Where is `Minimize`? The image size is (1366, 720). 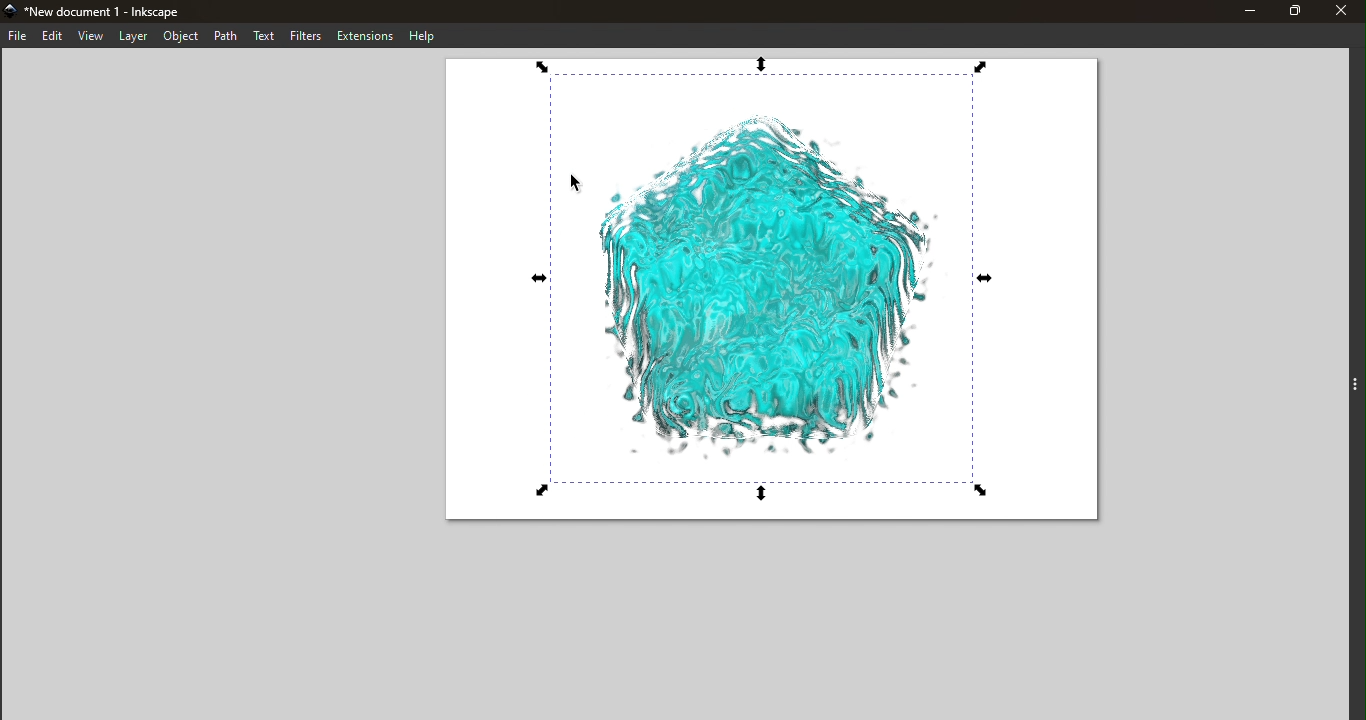
Minimize is located at coordinates (1248, 10).